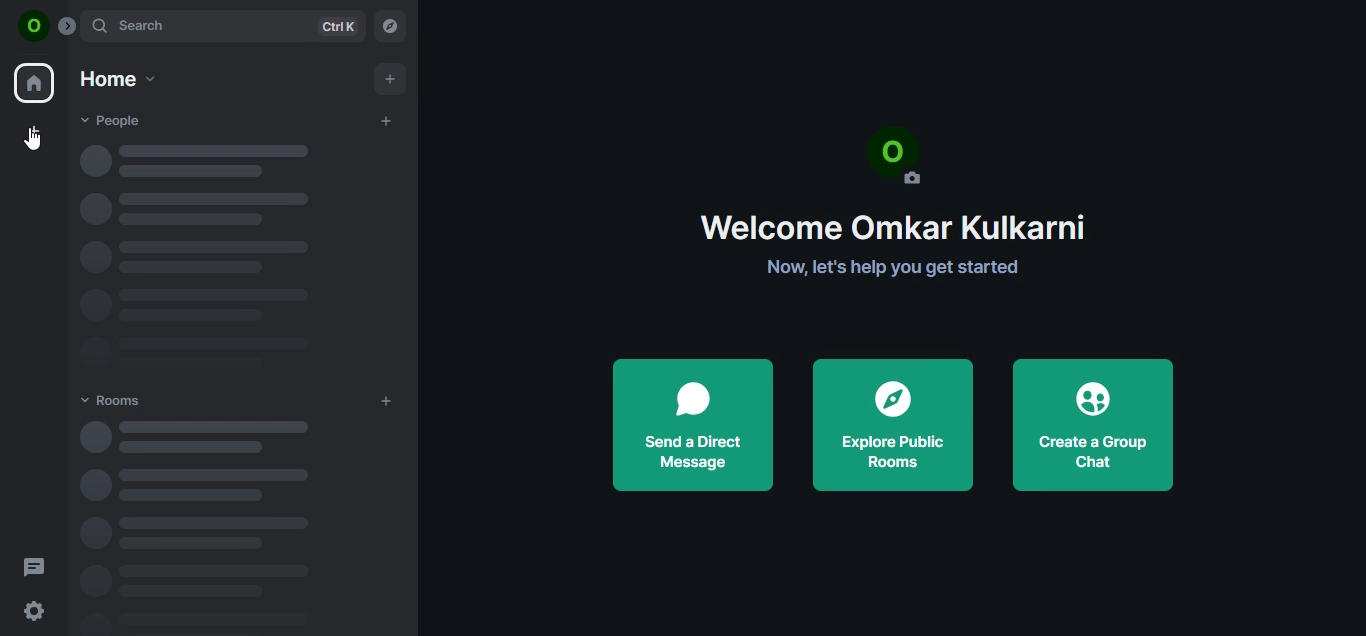 Image resolution: width=1366 pixels, height=636 pixels. I want to click on cursor, so click(31, 147).